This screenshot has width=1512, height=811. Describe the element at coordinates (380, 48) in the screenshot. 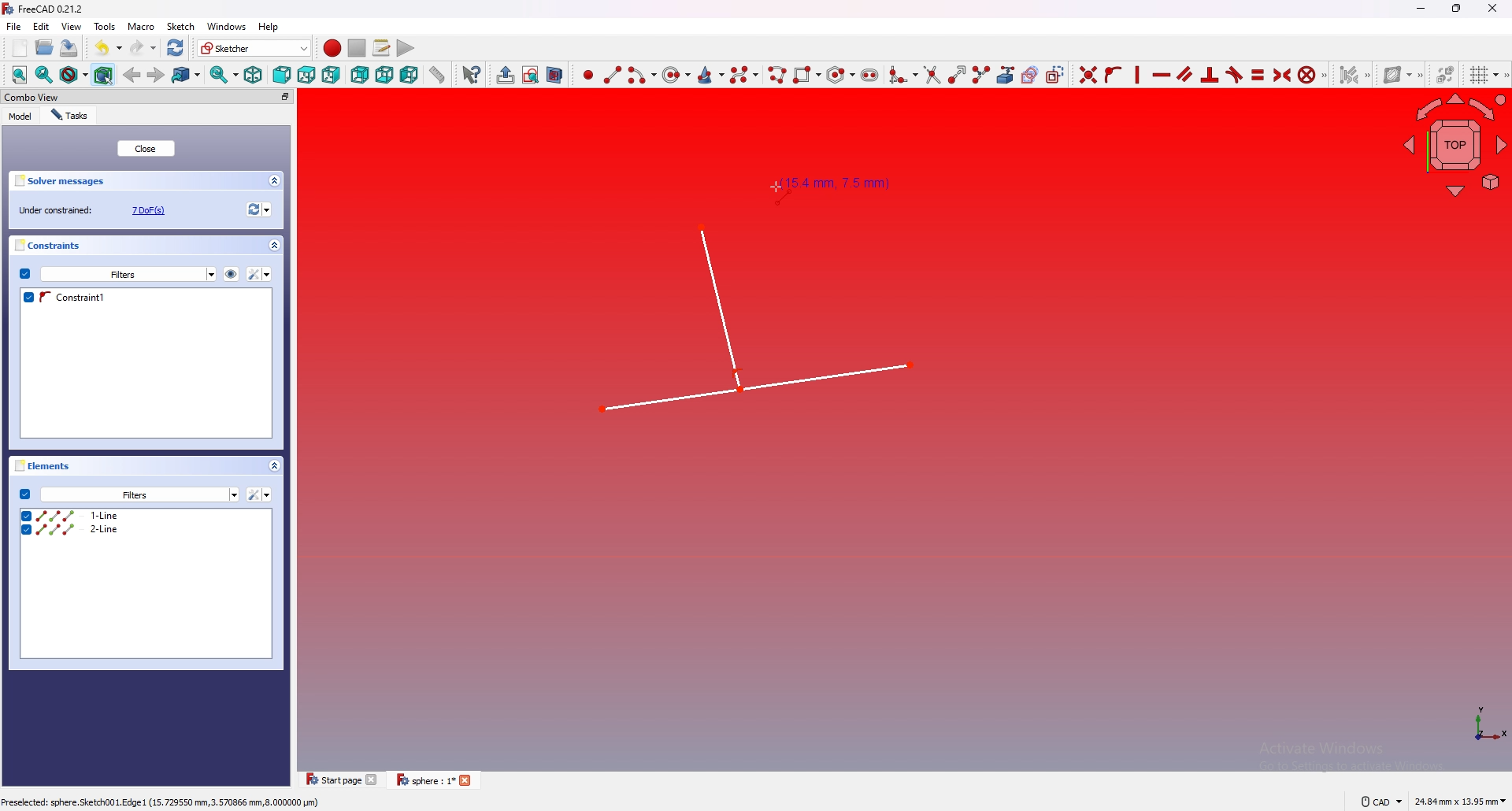

I see `Macros ...` at that location.